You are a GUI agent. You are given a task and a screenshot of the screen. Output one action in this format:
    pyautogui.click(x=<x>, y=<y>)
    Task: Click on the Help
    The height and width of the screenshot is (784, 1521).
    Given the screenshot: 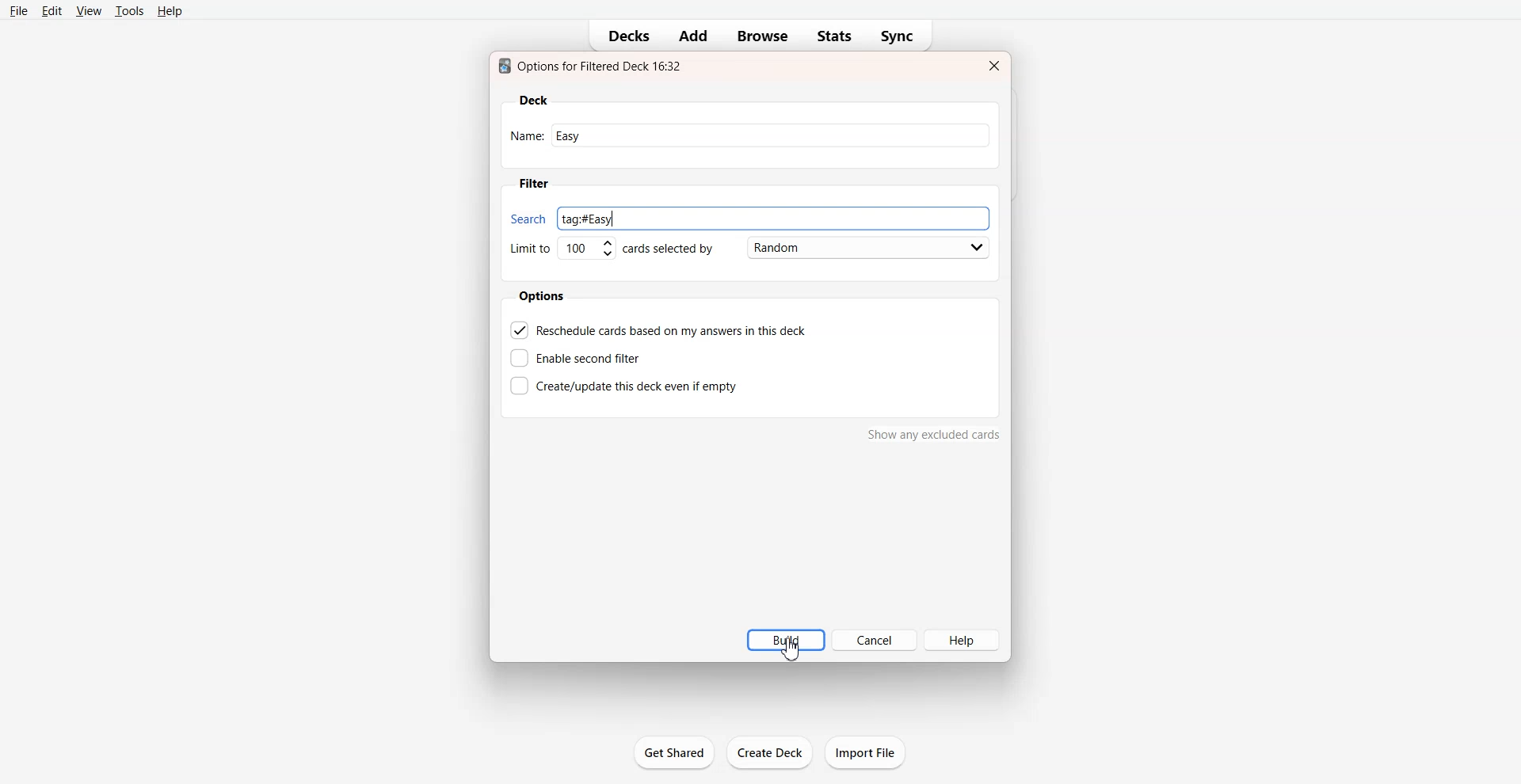 What is the action you would take?
    pyautogui.click(x=963, y=639)
    